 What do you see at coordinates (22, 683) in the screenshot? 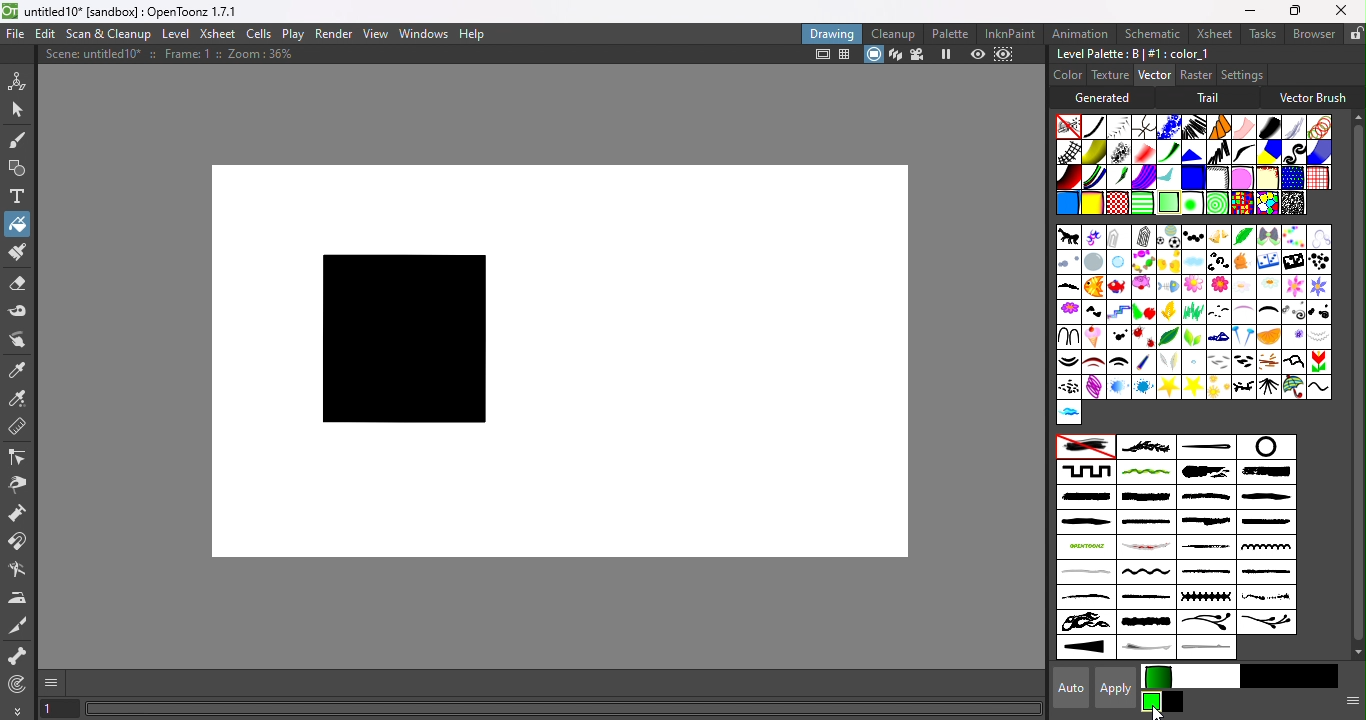
I see `Spiral tool` at bounding box center [22, 683].